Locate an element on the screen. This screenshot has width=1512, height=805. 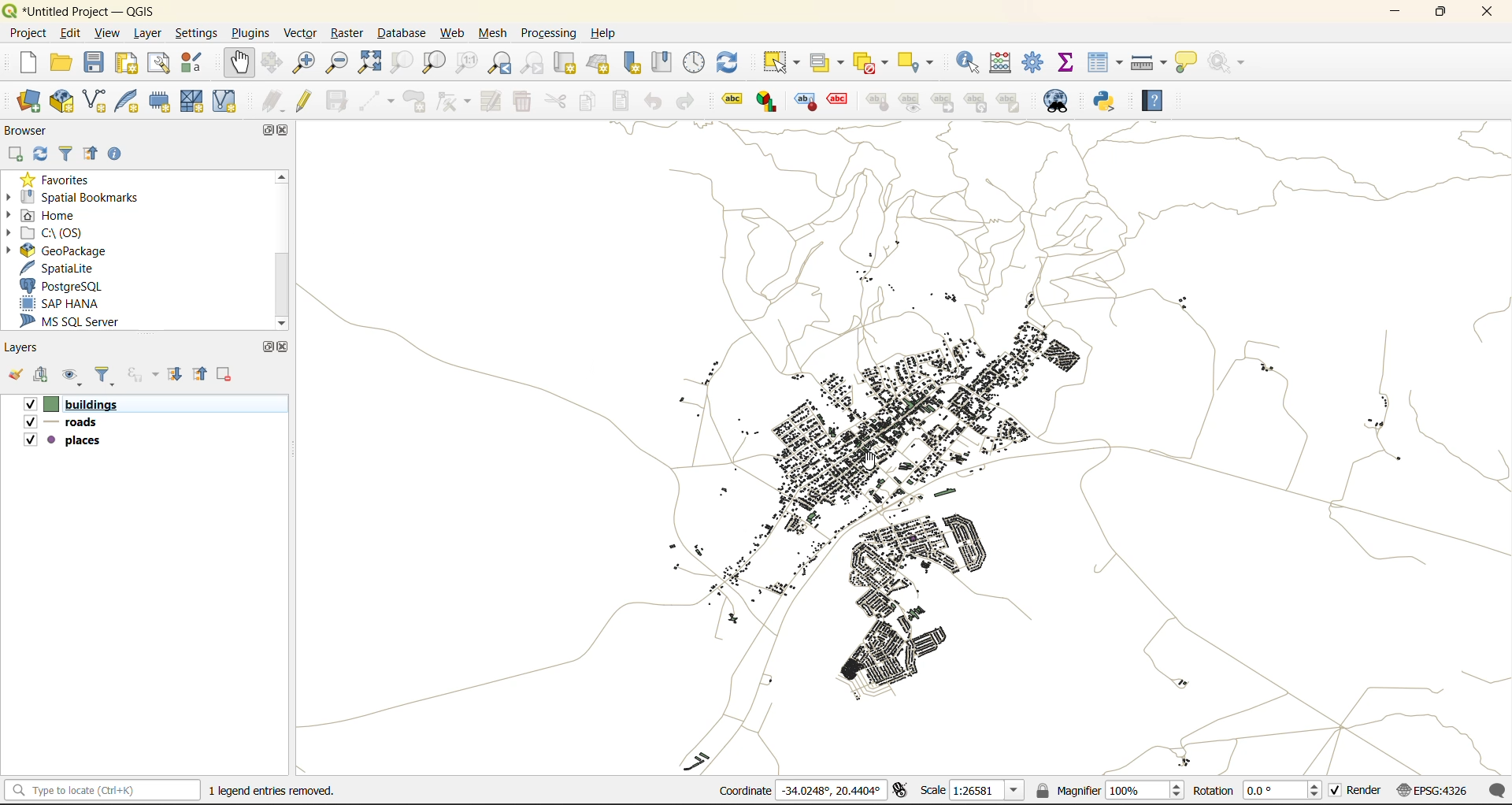
style manager is located at coordinates (197, 62).